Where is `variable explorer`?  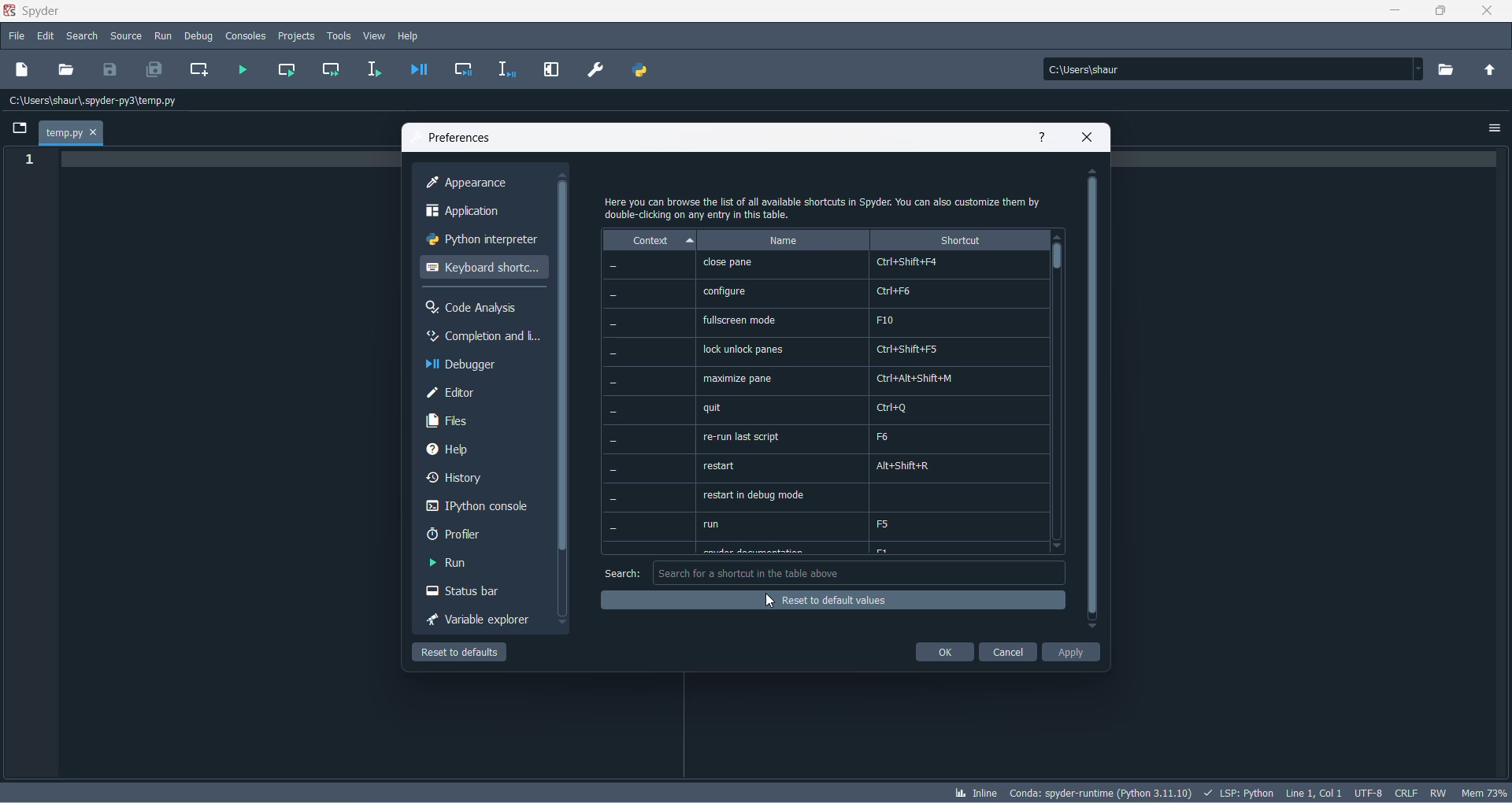
variable explorer is located at coordinates (479, 620).